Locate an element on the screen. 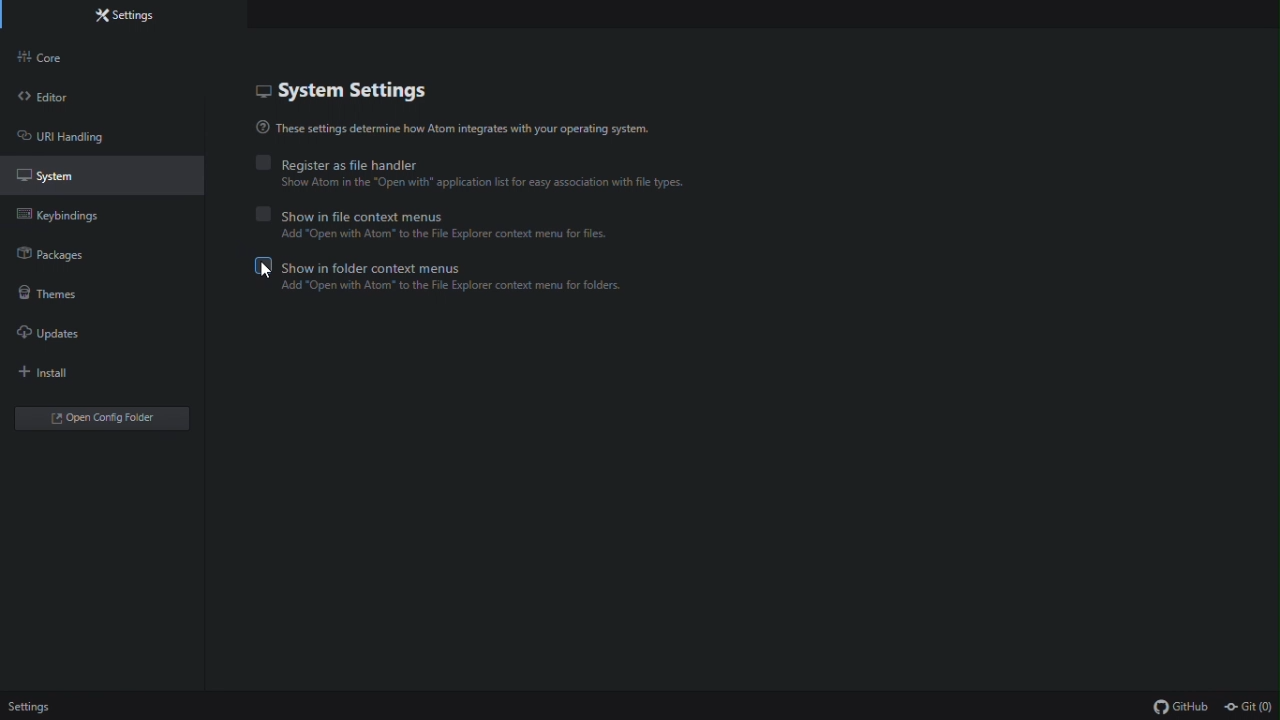 This screenshot has width=1280, height=720. Git Hub is located at coordinates (1171, 708).